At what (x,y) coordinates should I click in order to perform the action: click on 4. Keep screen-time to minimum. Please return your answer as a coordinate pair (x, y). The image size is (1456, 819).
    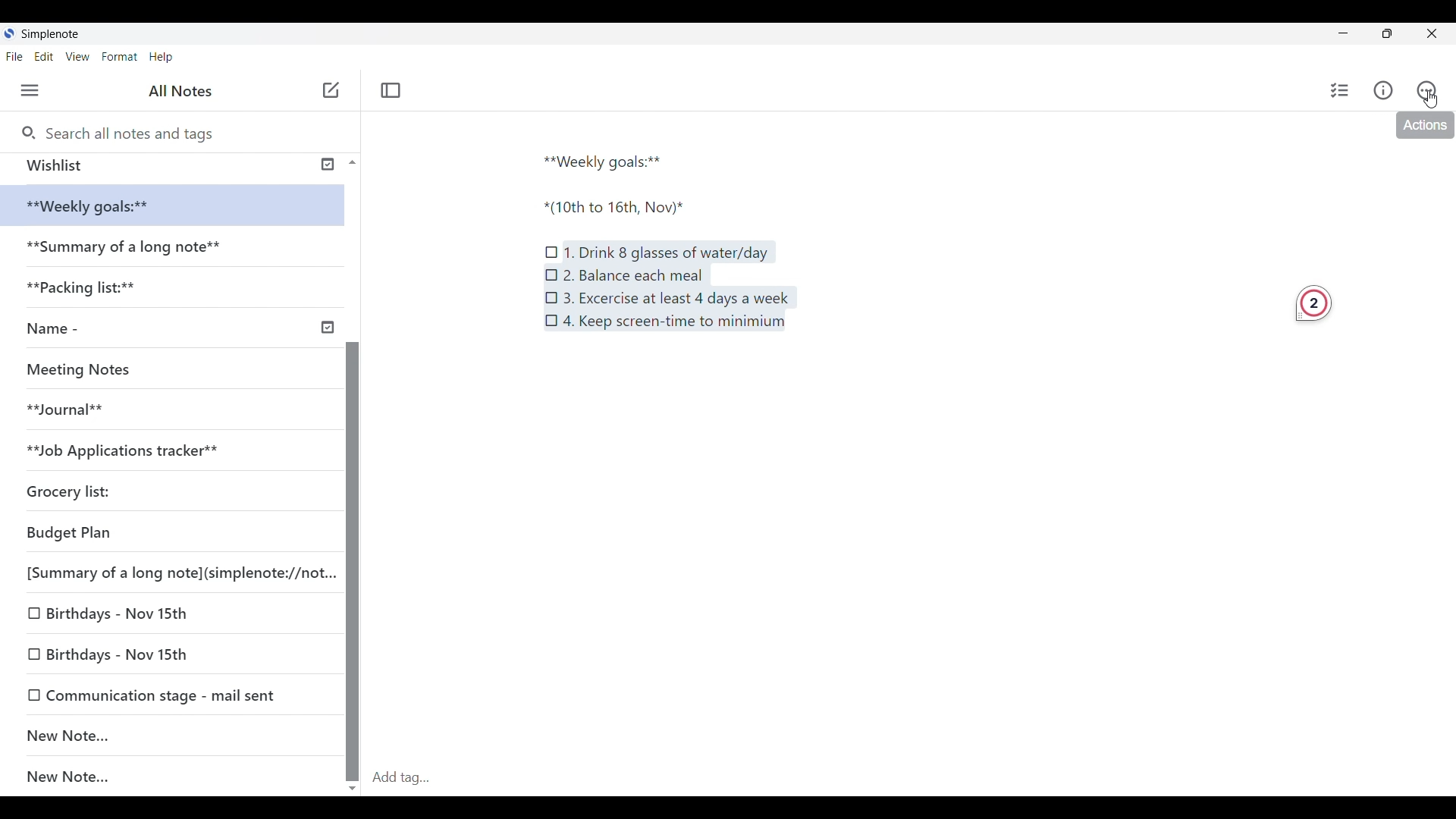
    Looking at the image, I should click on (679, 326).